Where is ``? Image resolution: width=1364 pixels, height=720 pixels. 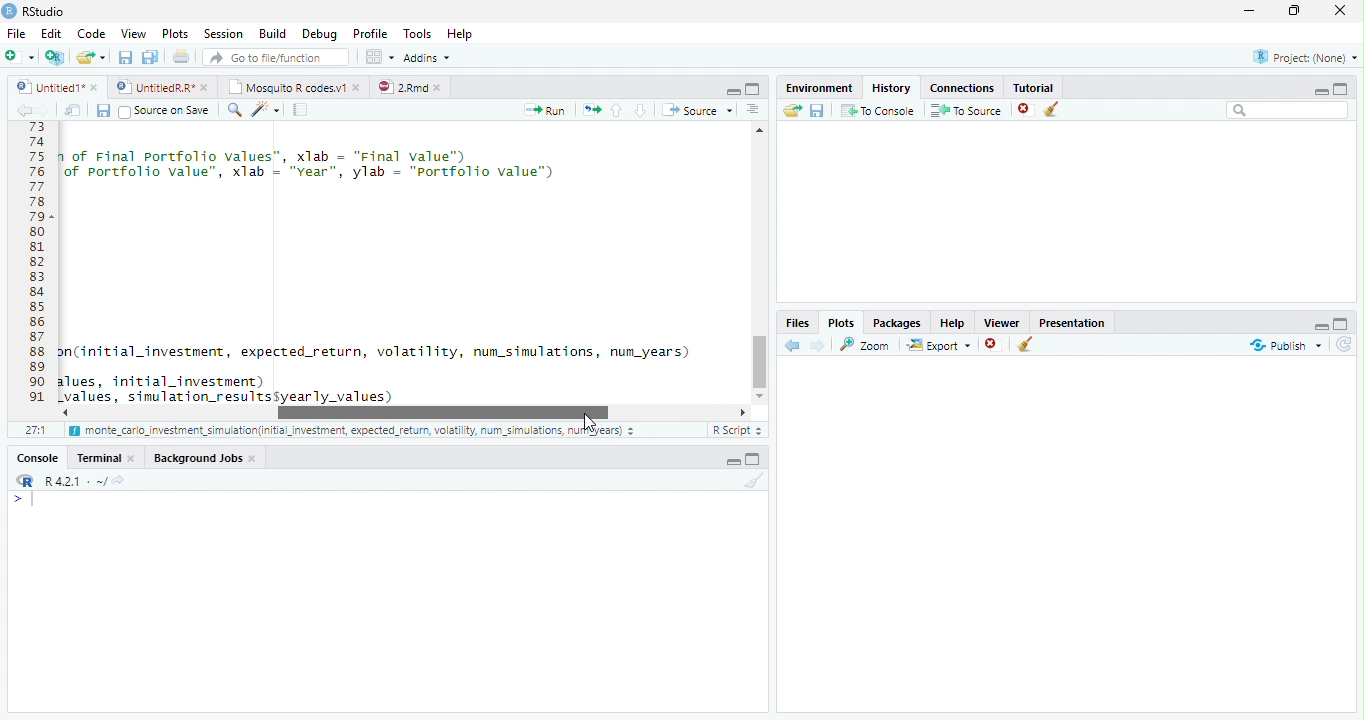
 is located at coordinates (732, 89).